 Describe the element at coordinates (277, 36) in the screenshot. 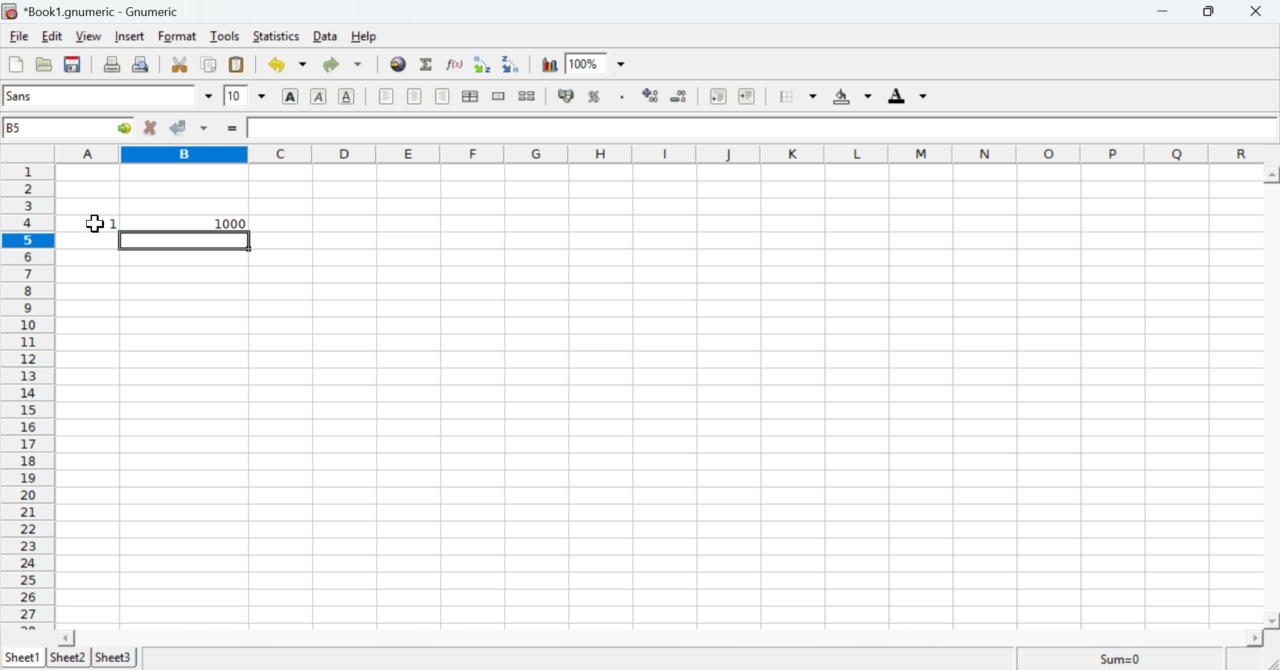

I see `Statistics` at that location.